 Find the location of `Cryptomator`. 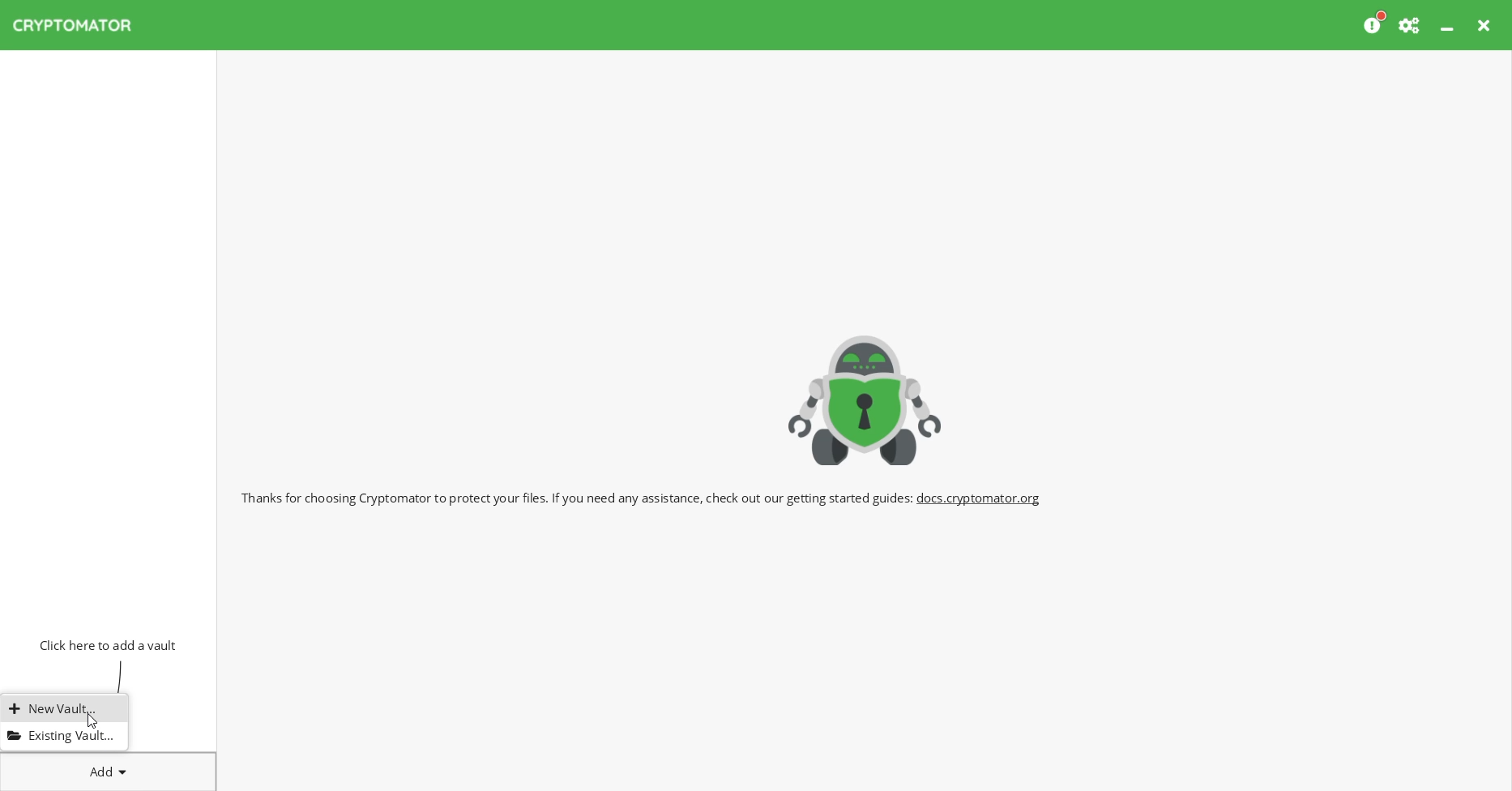

Cryptomator is located at coordinates (865, 397).